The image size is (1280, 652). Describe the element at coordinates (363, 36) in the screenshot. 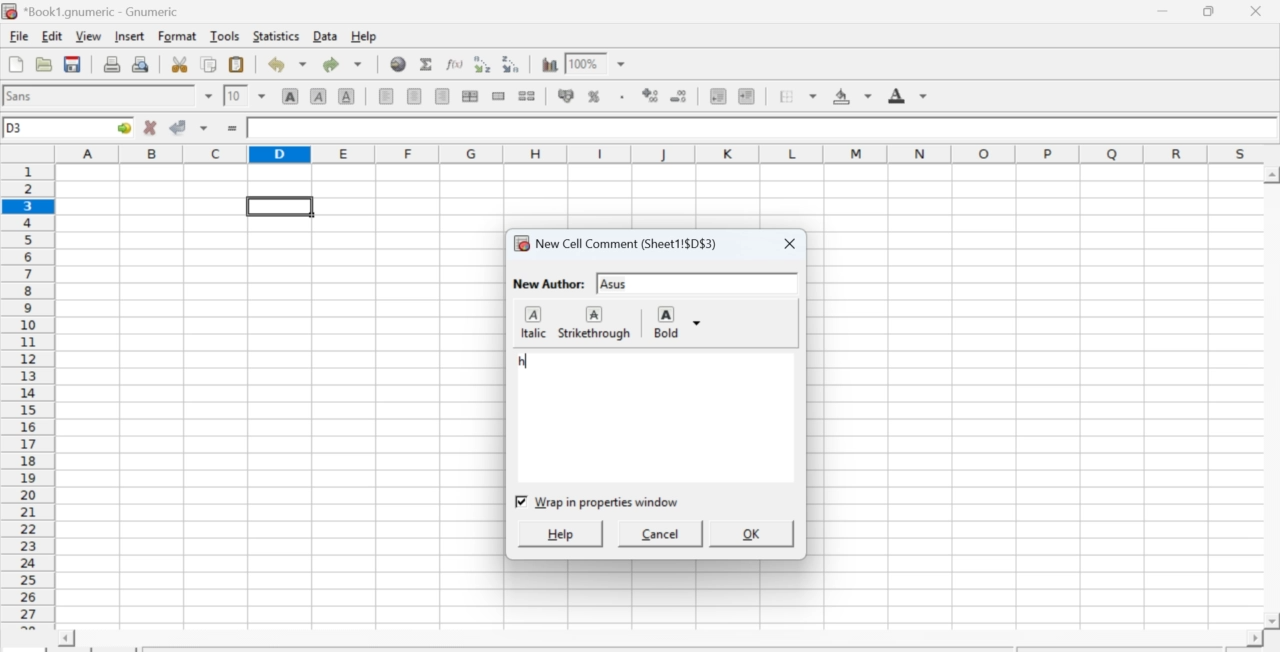

I see `Help` at that location.